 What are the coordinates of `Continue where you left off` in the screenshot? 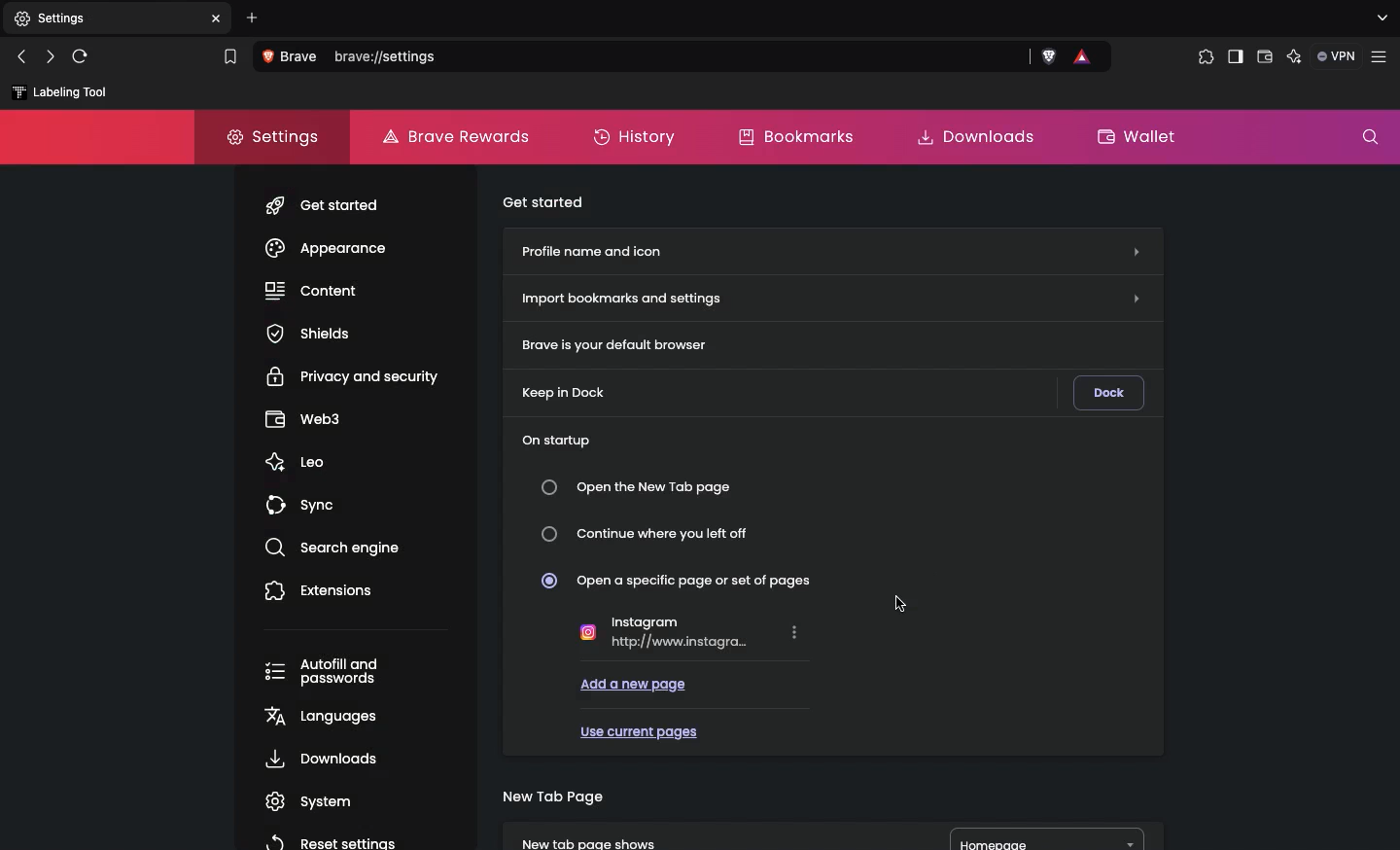 It's located at (652, 534).